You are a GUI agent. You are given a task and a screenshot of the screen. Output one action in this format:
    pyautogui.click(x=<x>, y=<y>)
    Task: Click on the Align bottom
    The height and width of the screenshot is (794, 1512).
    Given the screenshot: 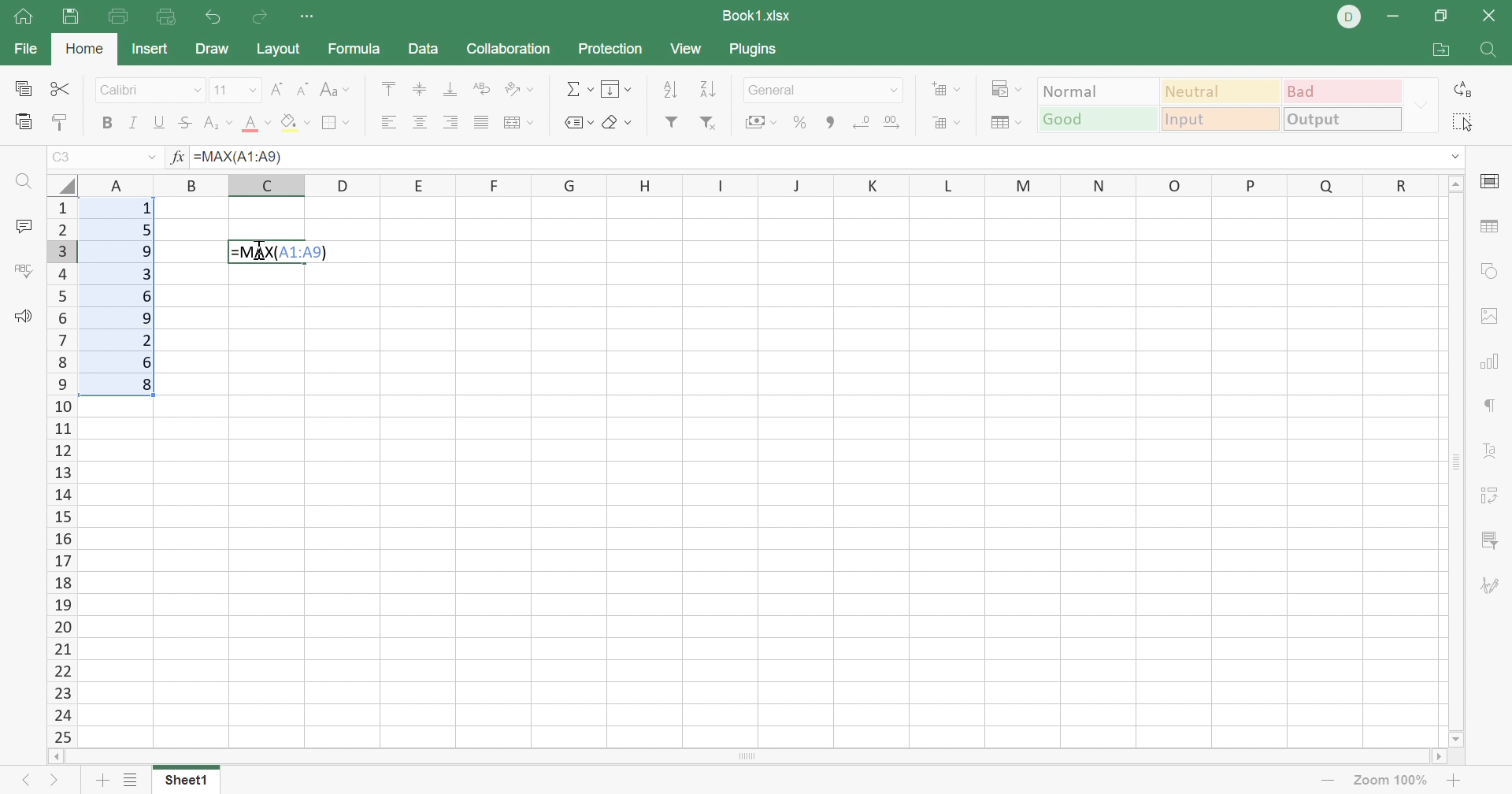 What is the action you would take?
    pyautogui.click(x=447, y=87)
    